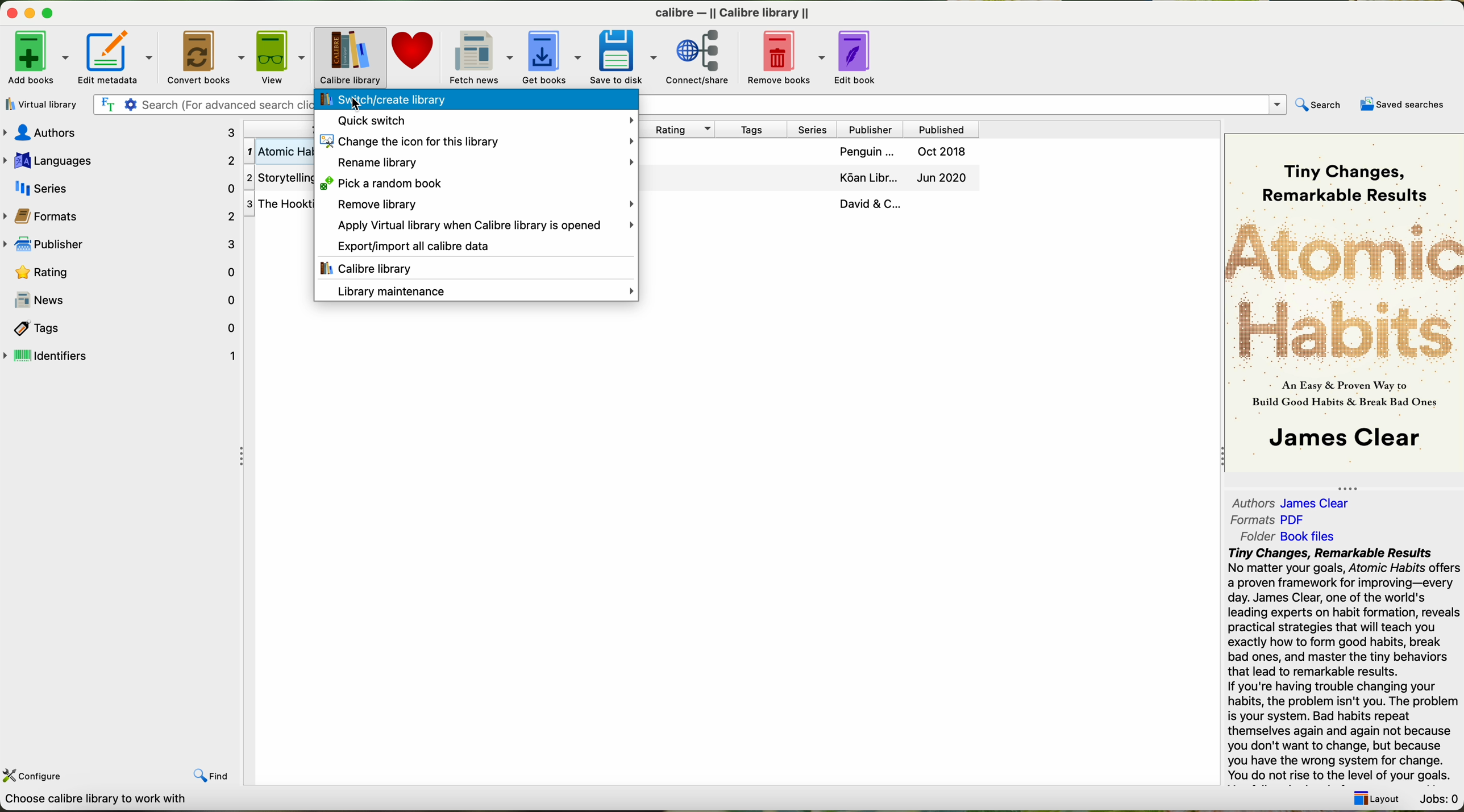 This screenshot has height=812, width=1464. I want to click on click on calibre library, so click(348, 57).